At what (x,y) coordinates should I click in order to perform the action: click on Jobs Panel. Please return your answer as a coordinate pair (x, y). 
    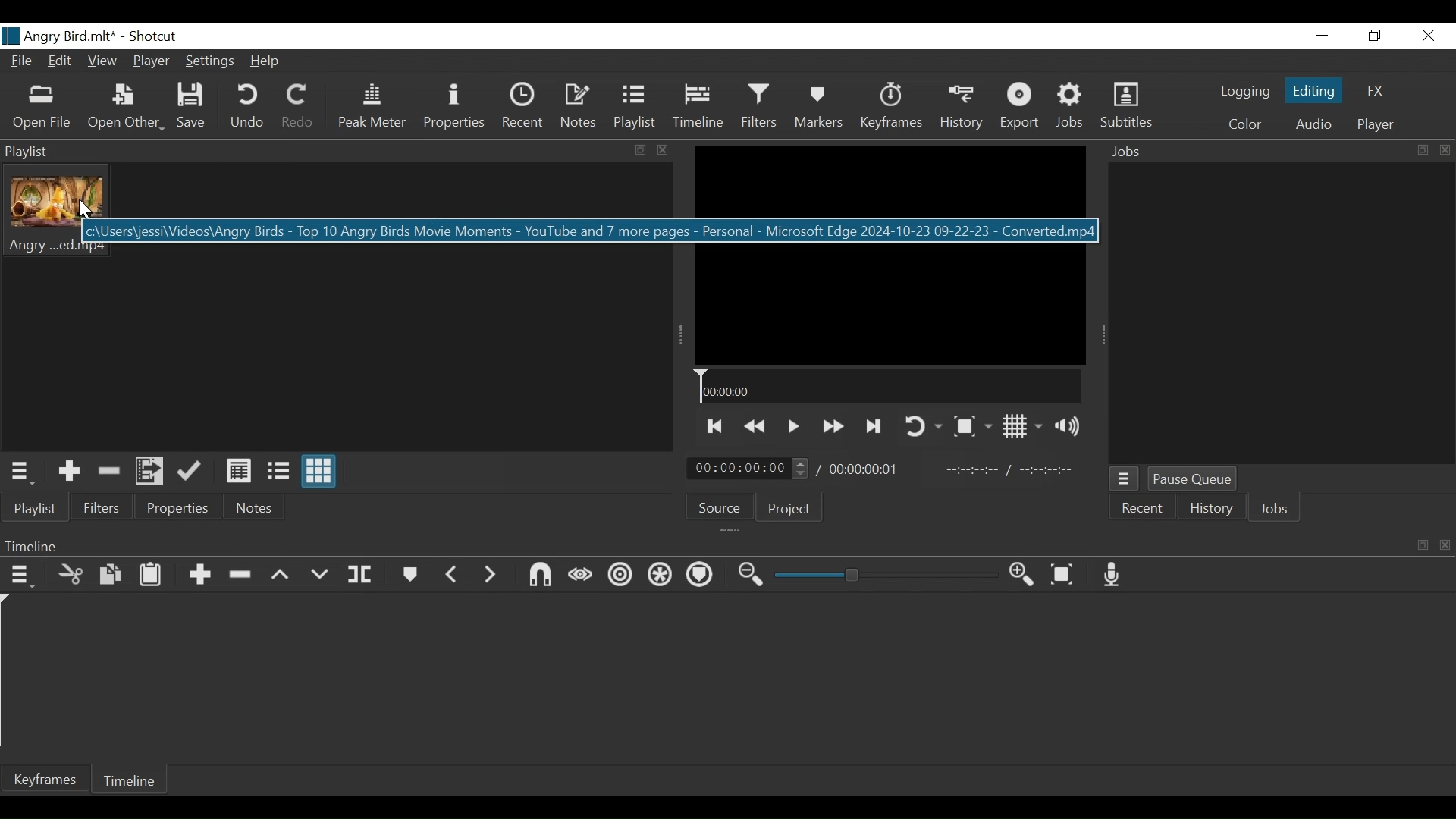
    Looking at the image, I should click on (1282, 149).